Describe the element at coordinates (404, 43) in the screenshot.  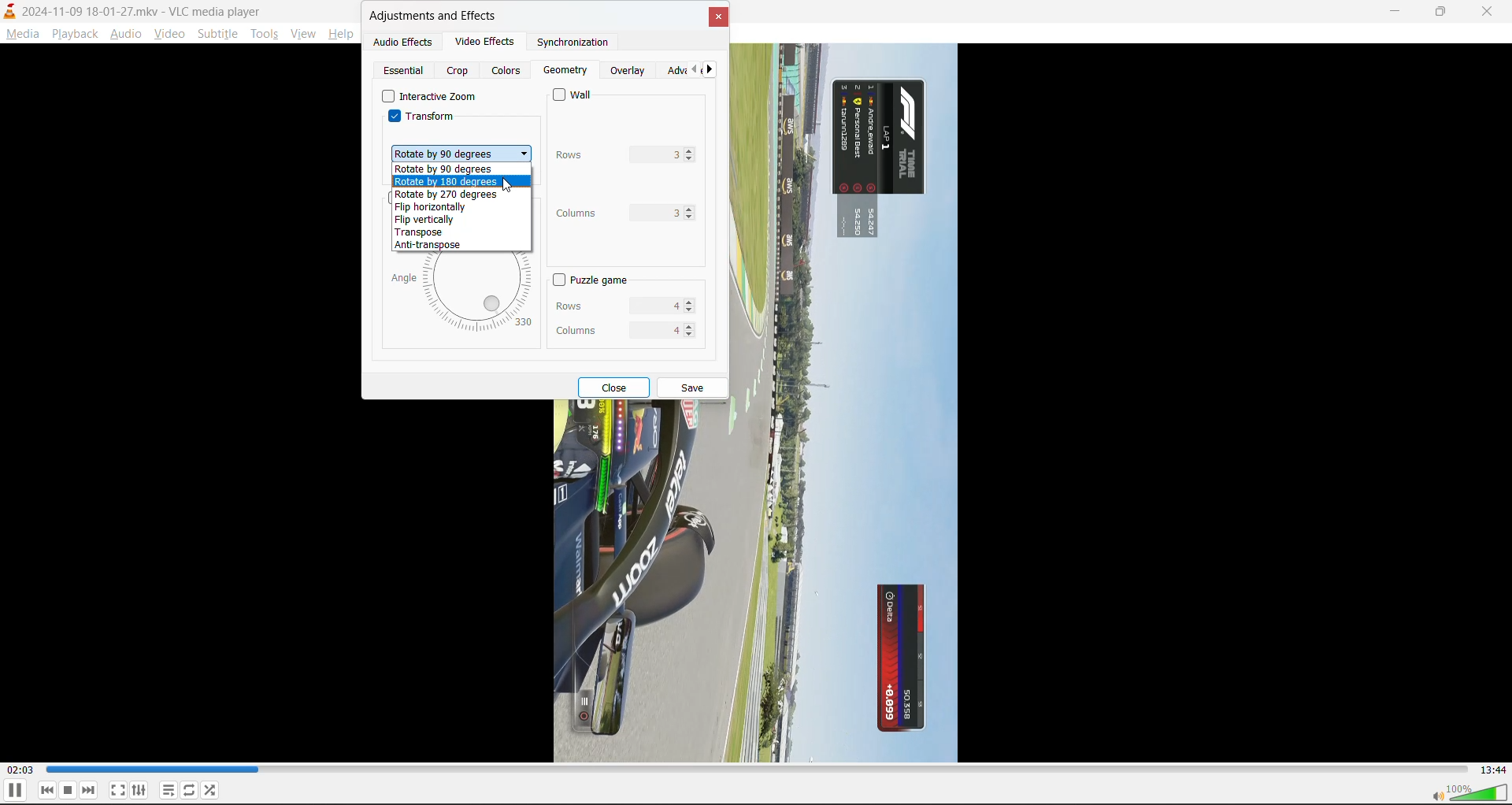
I see `audio effects` at that location.